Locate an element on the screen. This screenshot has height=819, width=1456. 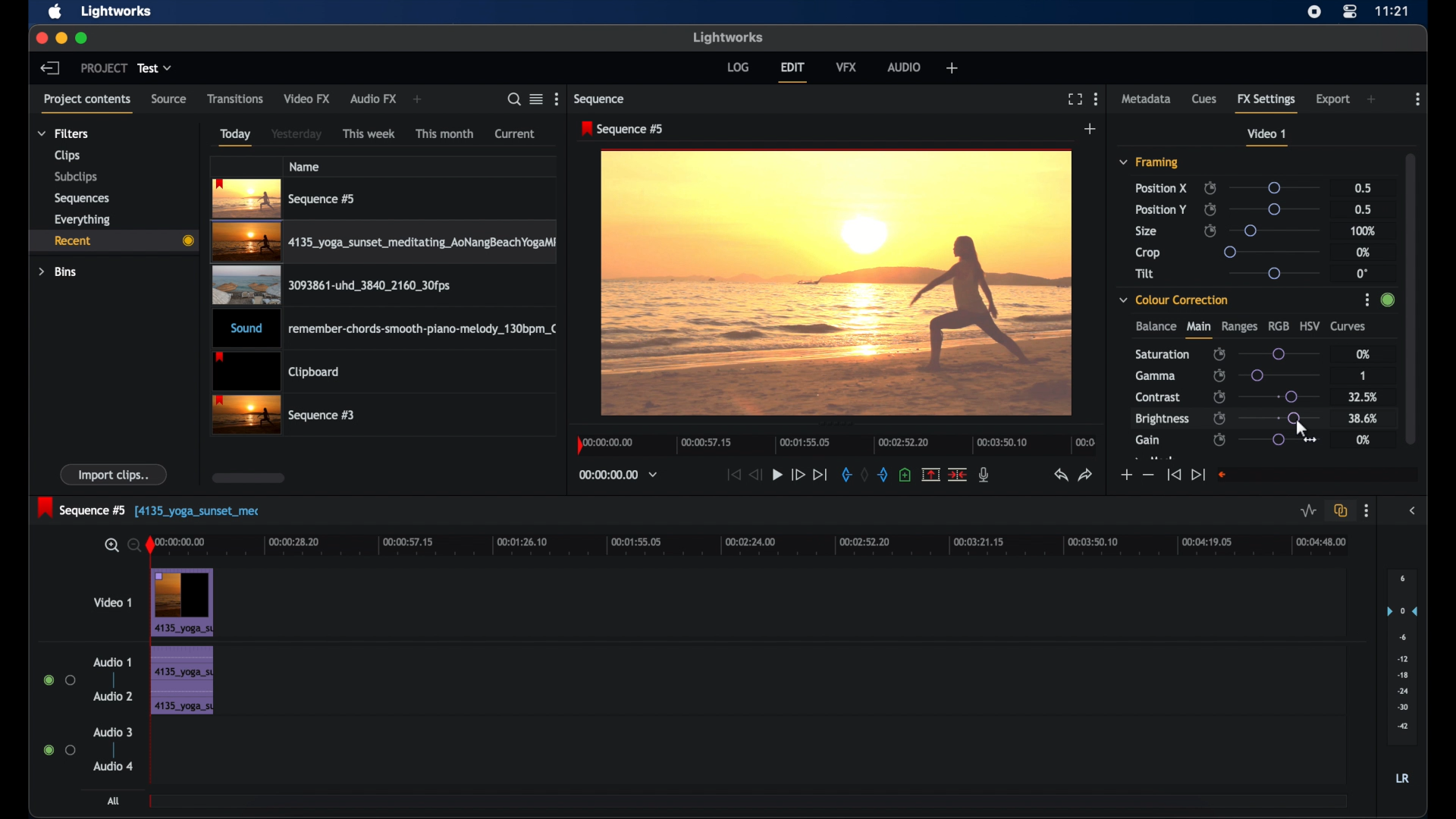
filters dropdown is located at coordinates (67, 134).